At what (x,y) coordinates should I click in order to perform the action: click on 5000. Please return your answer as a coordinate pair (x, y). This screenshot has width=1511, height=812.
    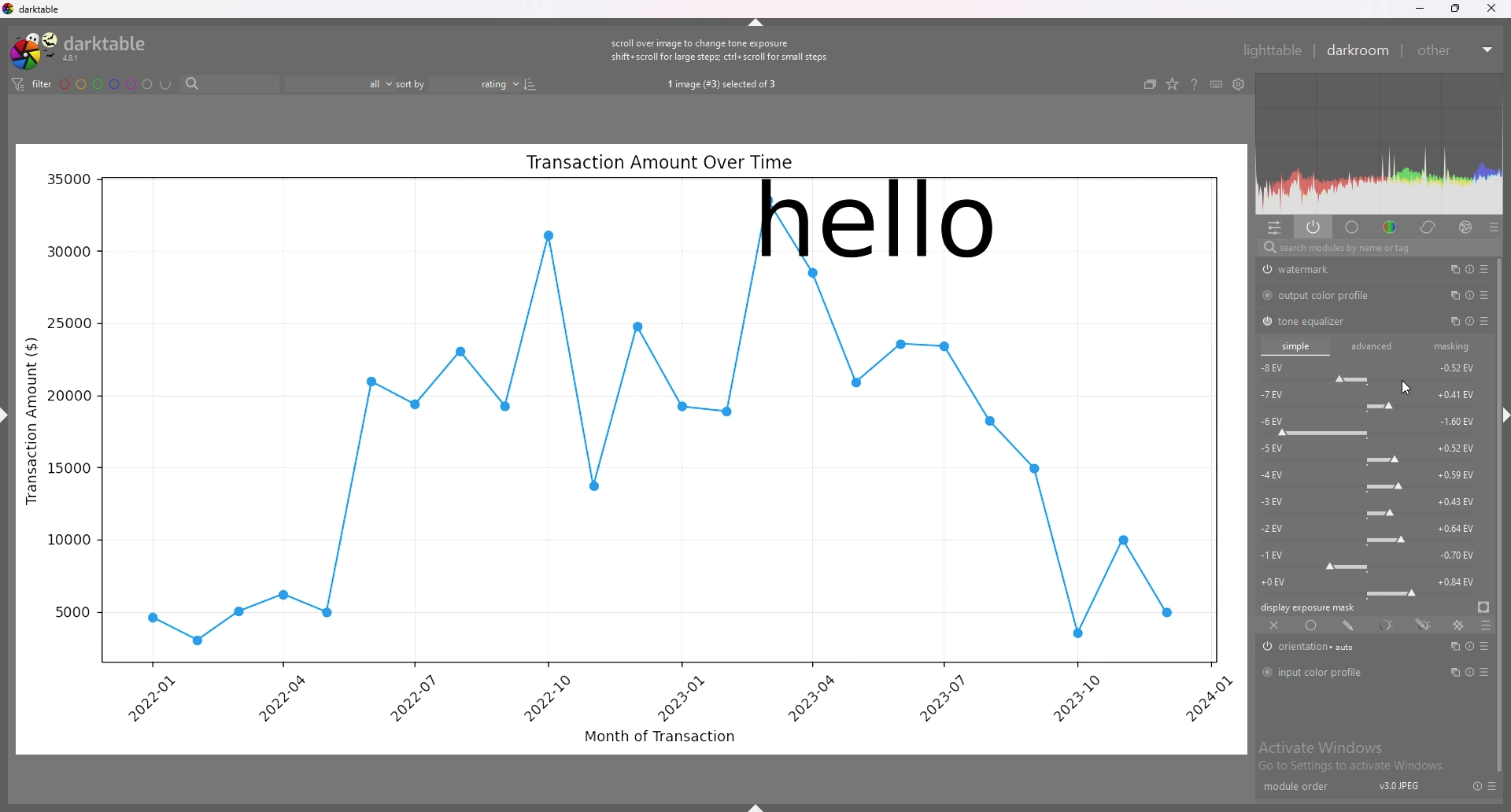
    Looking at the image, I should click on (71, 611).